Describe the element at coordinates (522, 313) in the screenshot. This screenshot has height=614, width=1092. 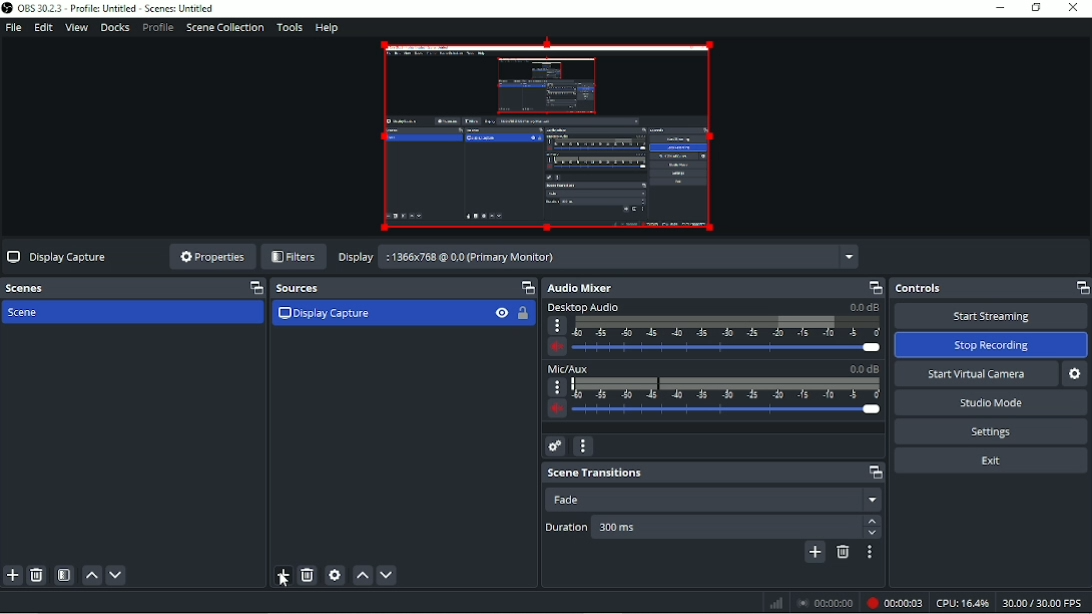
I see `Lock` at that location.